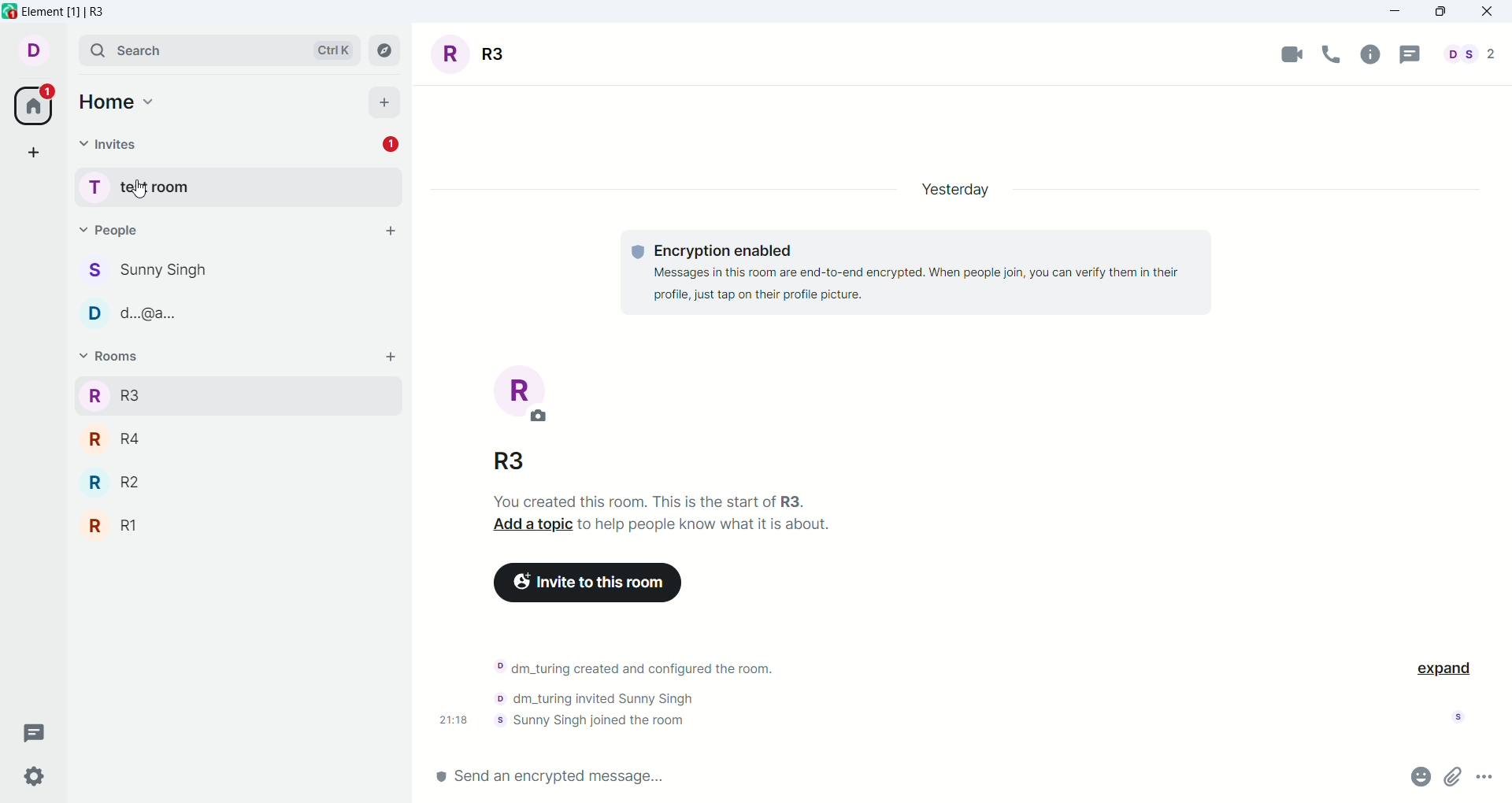 The width and height of the screenshot is (1512, 803). What do you see at coordinates (1411, 54) in the screenshot?
I see `thread` at bounding box center [1411, 54].